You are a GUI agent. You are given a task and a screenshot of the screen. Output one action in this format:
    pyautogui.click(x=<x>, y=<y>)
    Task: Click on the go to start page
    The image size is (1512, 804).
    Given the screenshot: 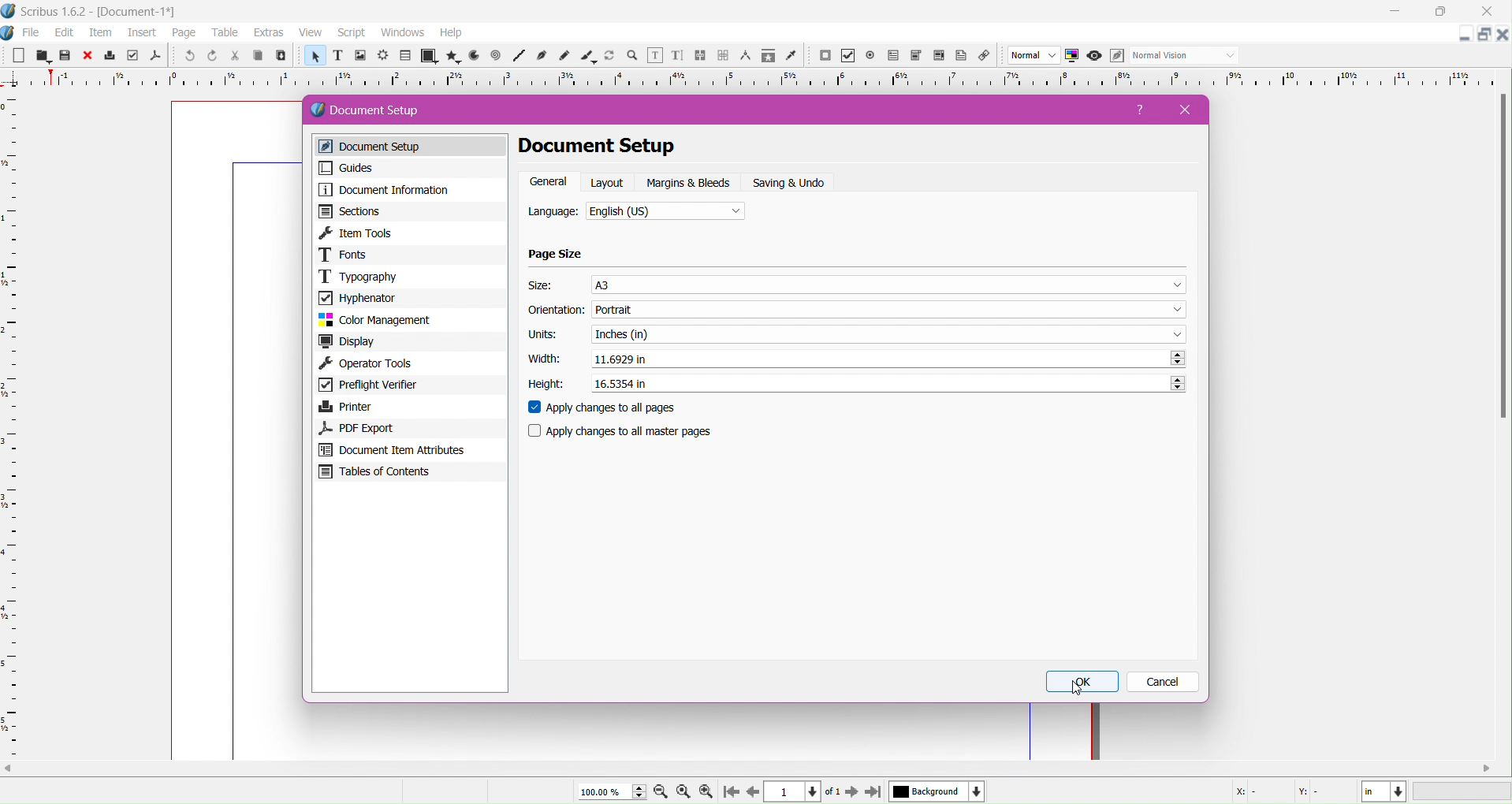 What is the action you would take?
    pyautogui.click(x=729, y=793)
    